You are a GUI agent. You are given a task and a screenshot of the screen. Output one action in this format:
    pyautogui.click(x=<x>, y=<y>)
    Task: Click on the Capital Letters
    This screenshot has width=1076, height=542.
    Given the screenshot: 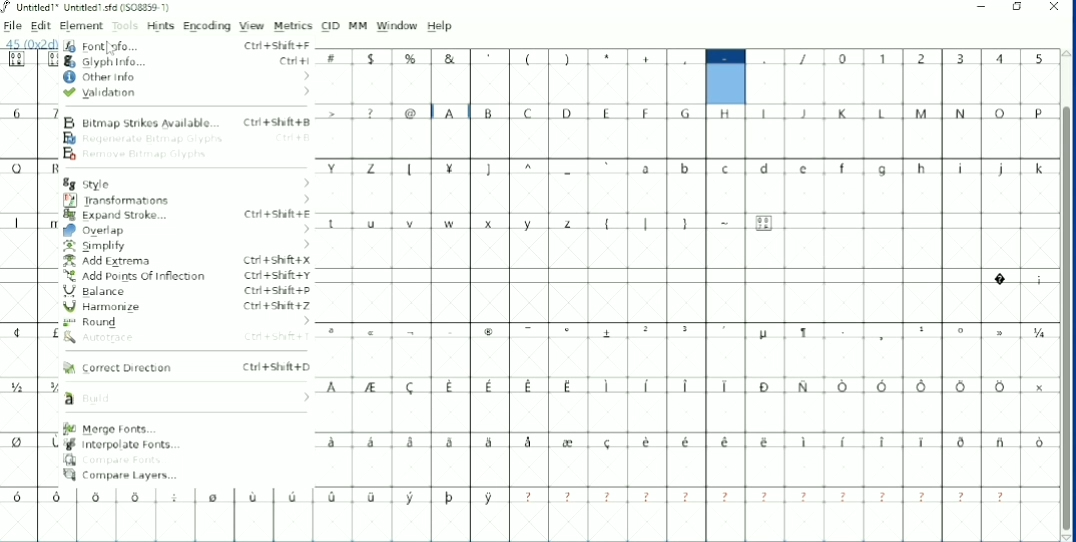 What is the action you would take?
    pyautogui.click(x=743, y=114)
    